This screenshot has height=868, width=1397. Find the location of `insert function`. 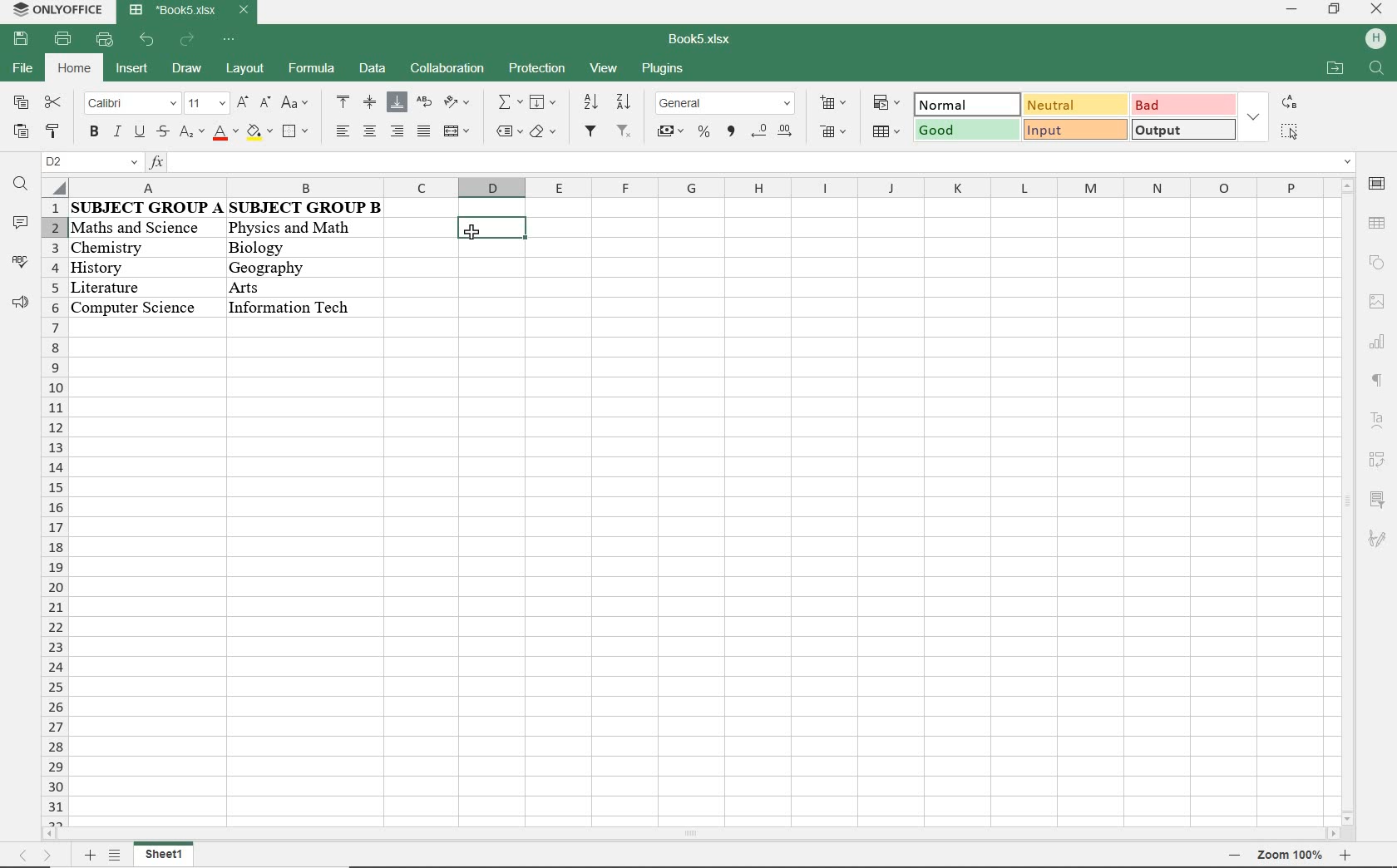

insert function is located at coordinates (751, 163).